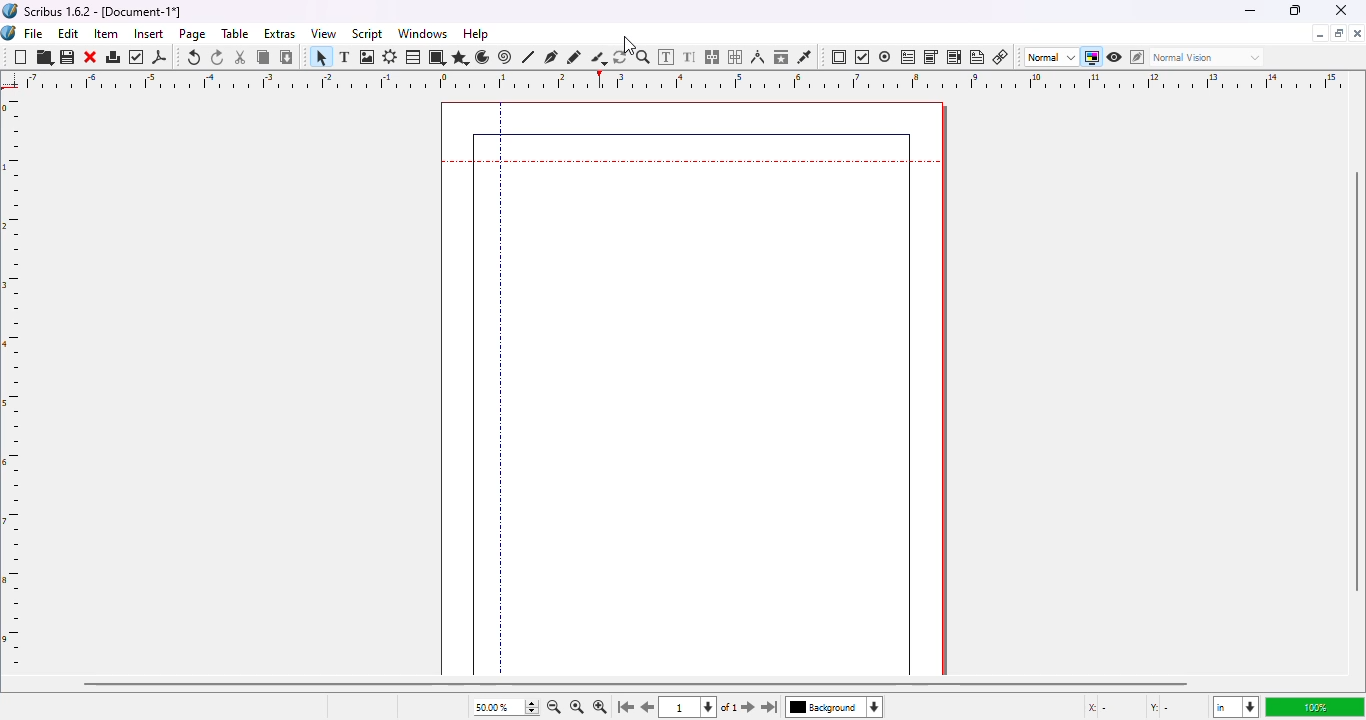  I want to click on undo, so click(194, 57).